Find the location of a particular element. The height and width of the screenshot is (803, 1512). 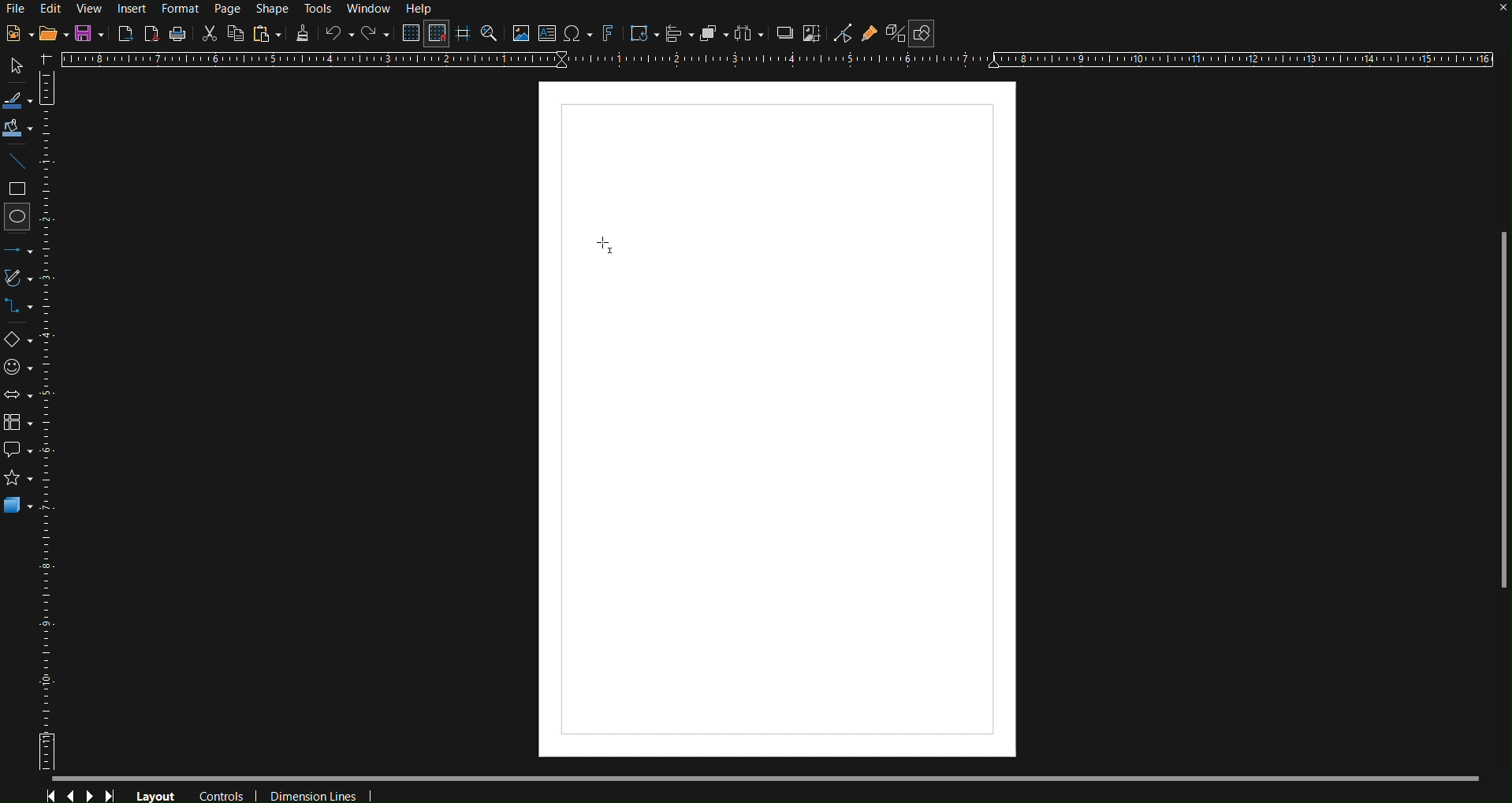

Show Draw Functions is located at coordinates (921, 34).